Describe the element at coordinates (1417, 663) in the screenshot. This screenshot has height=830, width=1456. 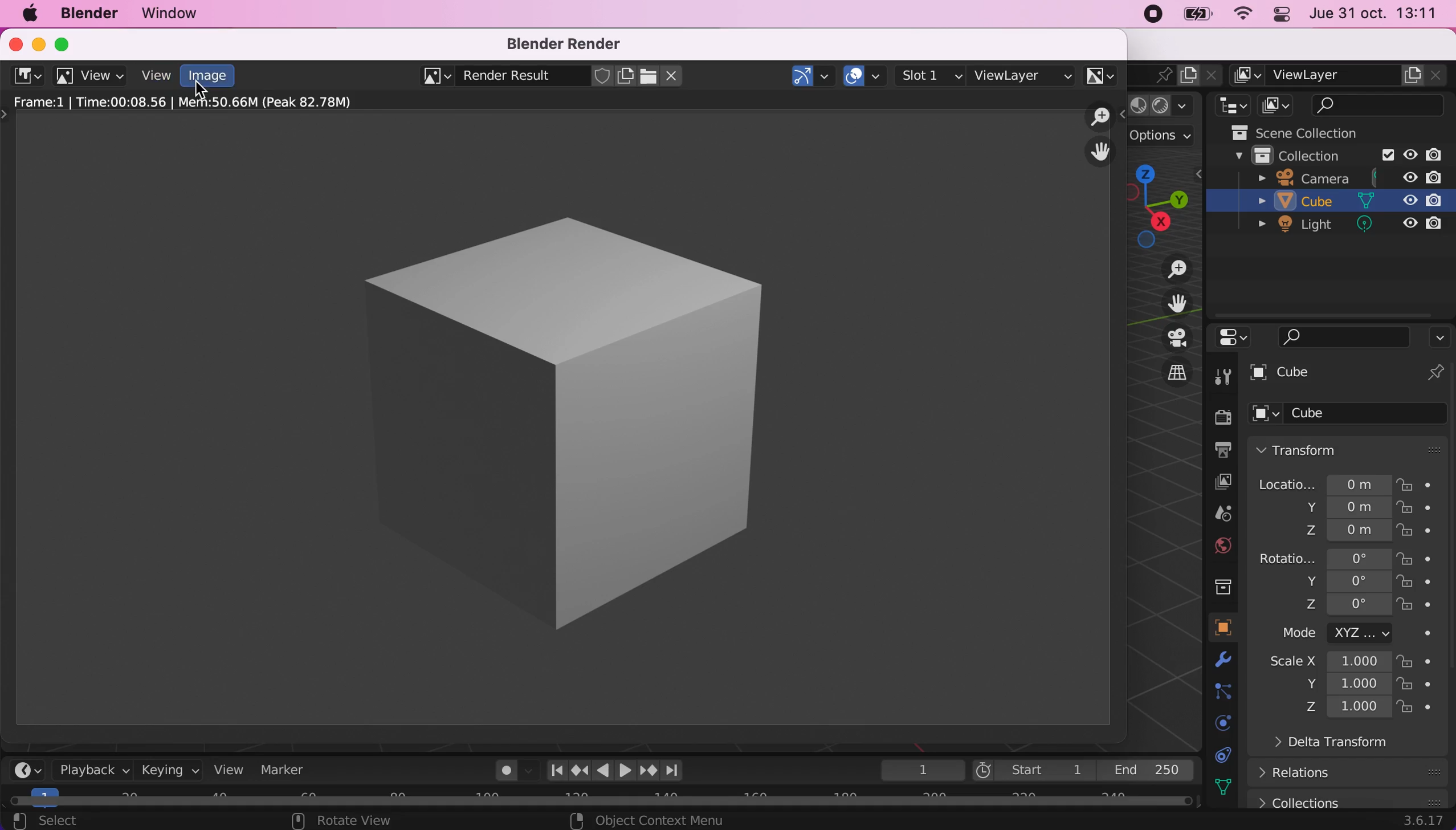
I see `lock` at that location.